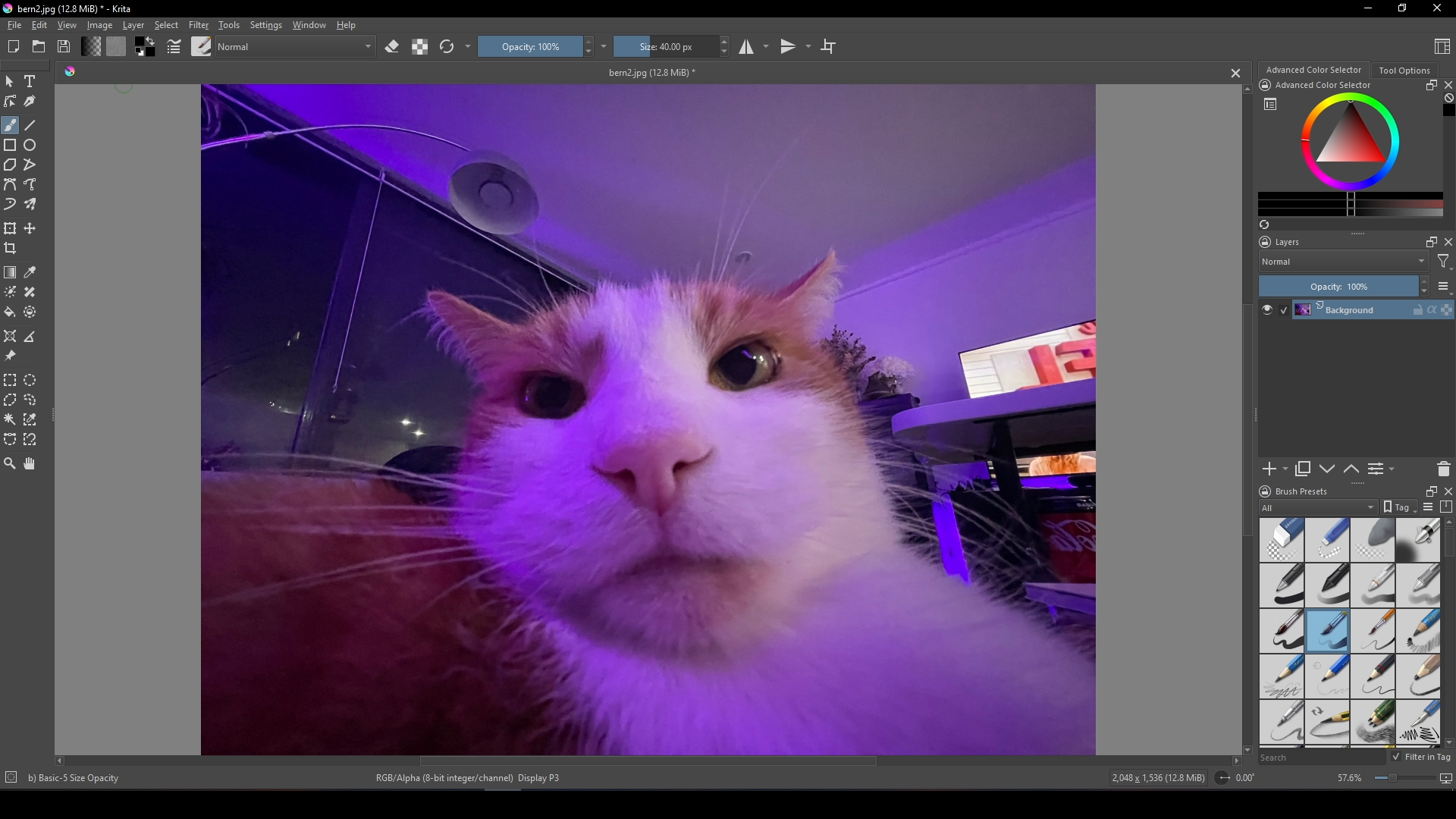 This screenshot has height=819, width=1456. I want to click on Left panel slider, so click(1257, 413).